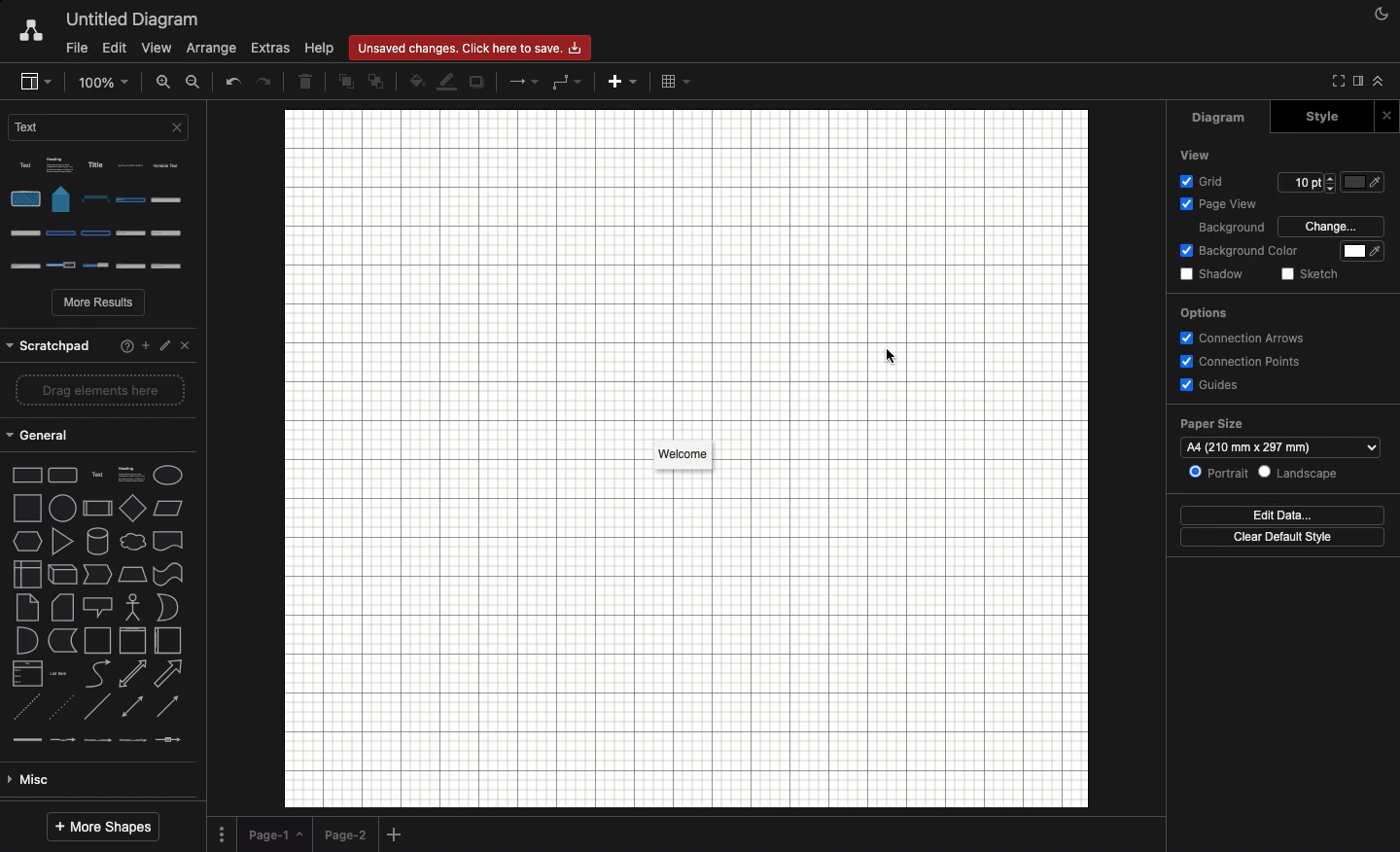  I want to click on Draw.io, so click(30, 32).